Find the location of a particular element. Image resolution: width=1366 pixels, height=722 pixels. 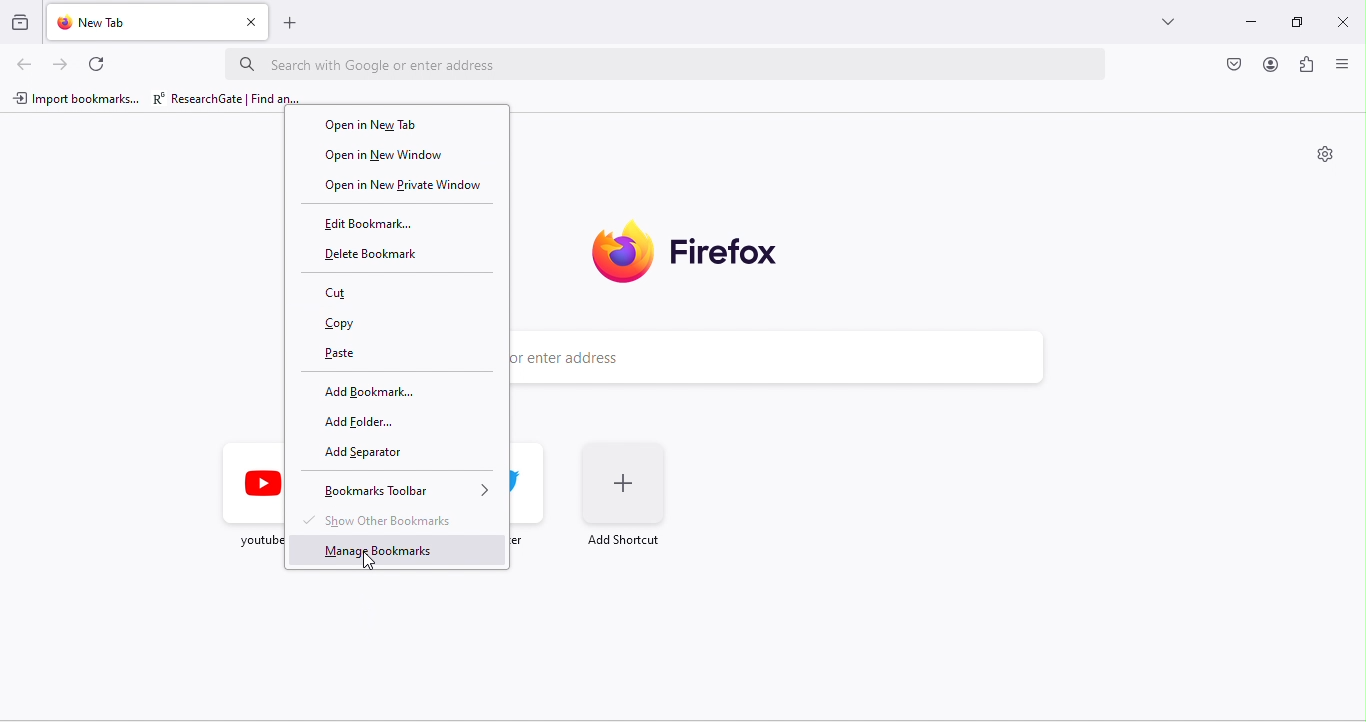

close is located at coordinates (1345, 18).